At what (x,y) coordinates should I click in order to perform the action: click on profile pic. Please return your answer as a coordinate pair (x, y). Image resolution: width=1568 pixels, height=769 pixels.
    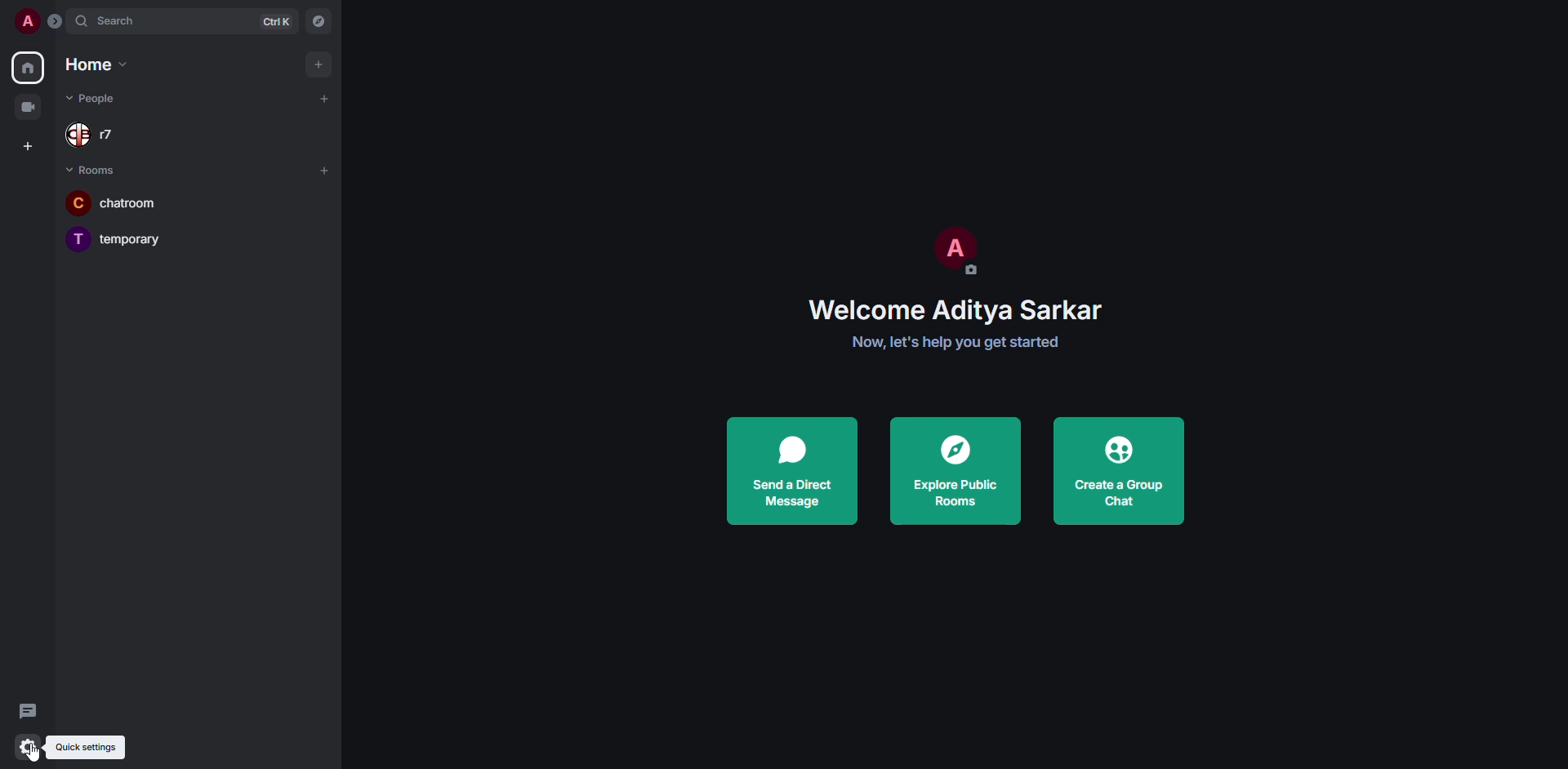
    Looking at the image, I should click on (953, 246).